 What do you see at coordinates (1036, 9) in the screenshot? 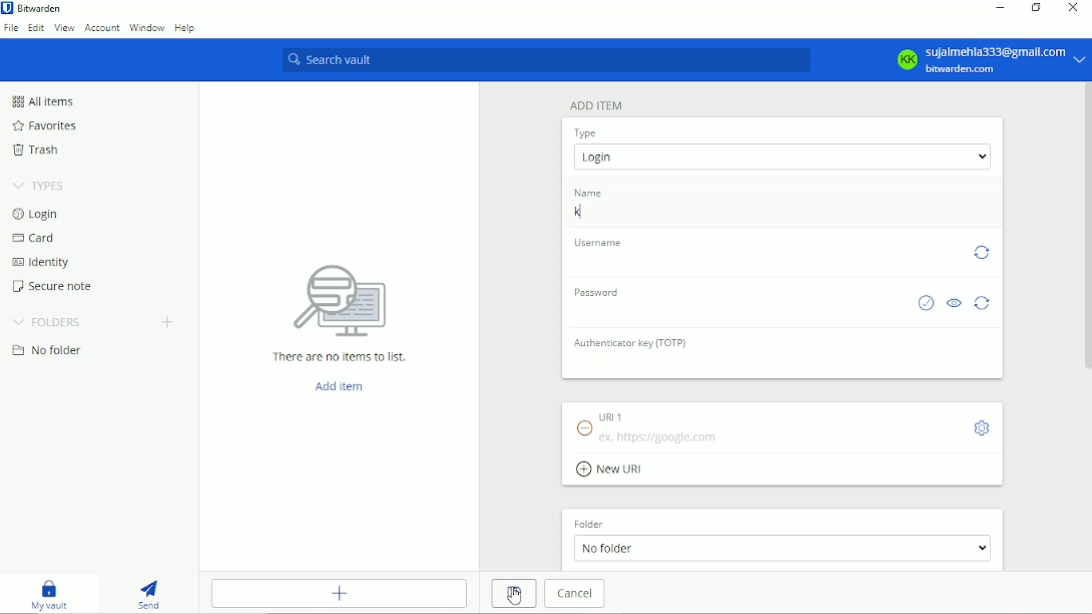
I see `Restore down` at bounding box center [1036, 9].